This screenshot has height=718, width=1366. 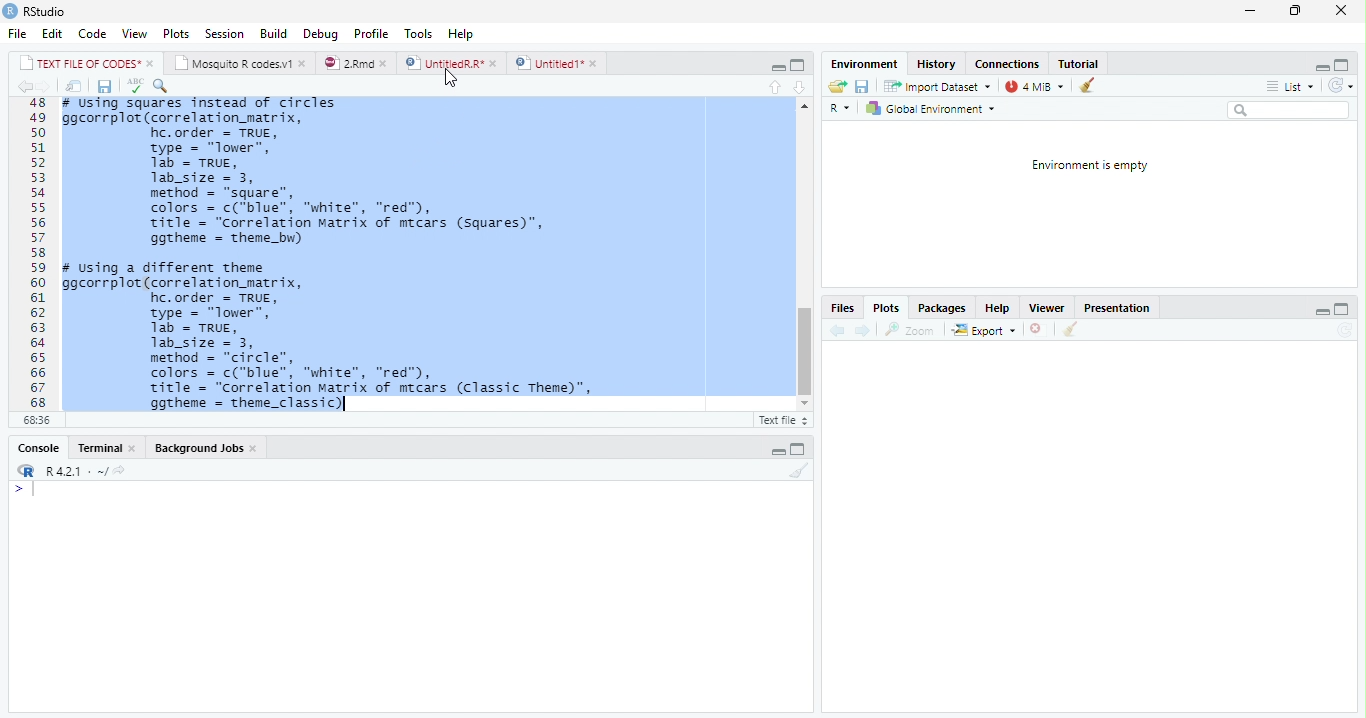 I want to click on Tools, so click(x=417, y=32).